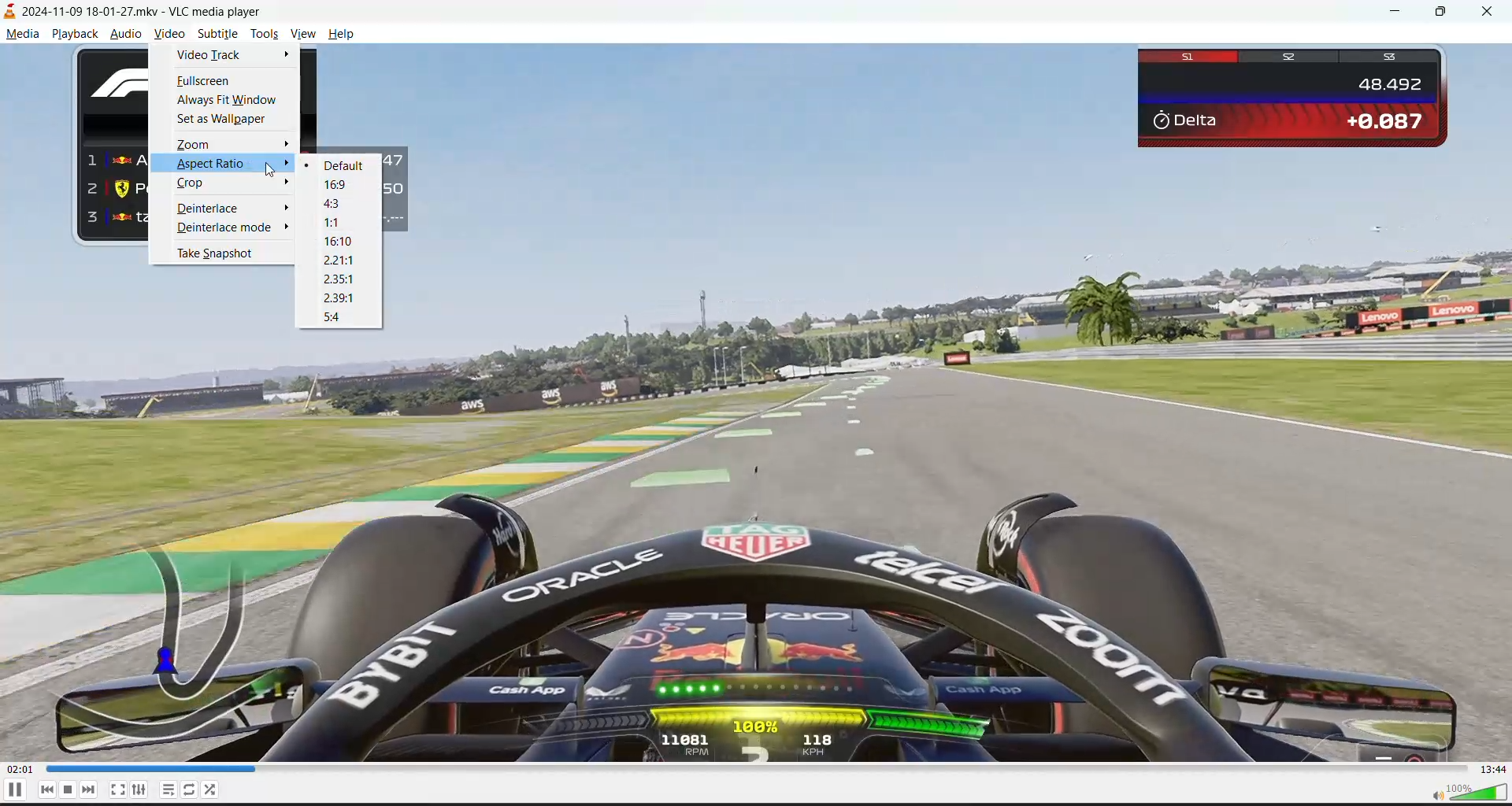 The image size is (1512, 806). I want to click on media, so click(22, 35).